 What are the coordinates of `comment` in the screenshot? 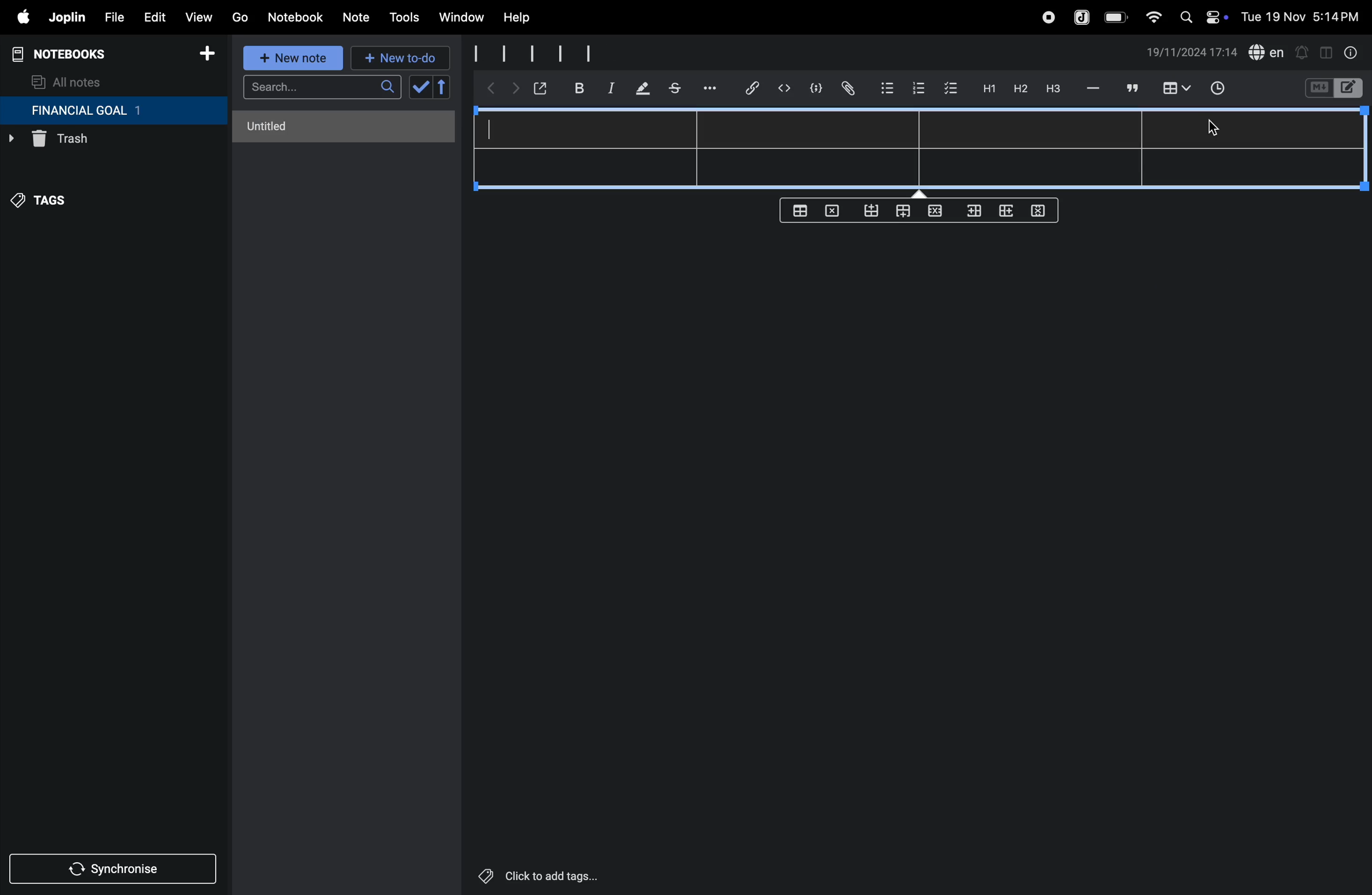 It's located at (1130, 88).